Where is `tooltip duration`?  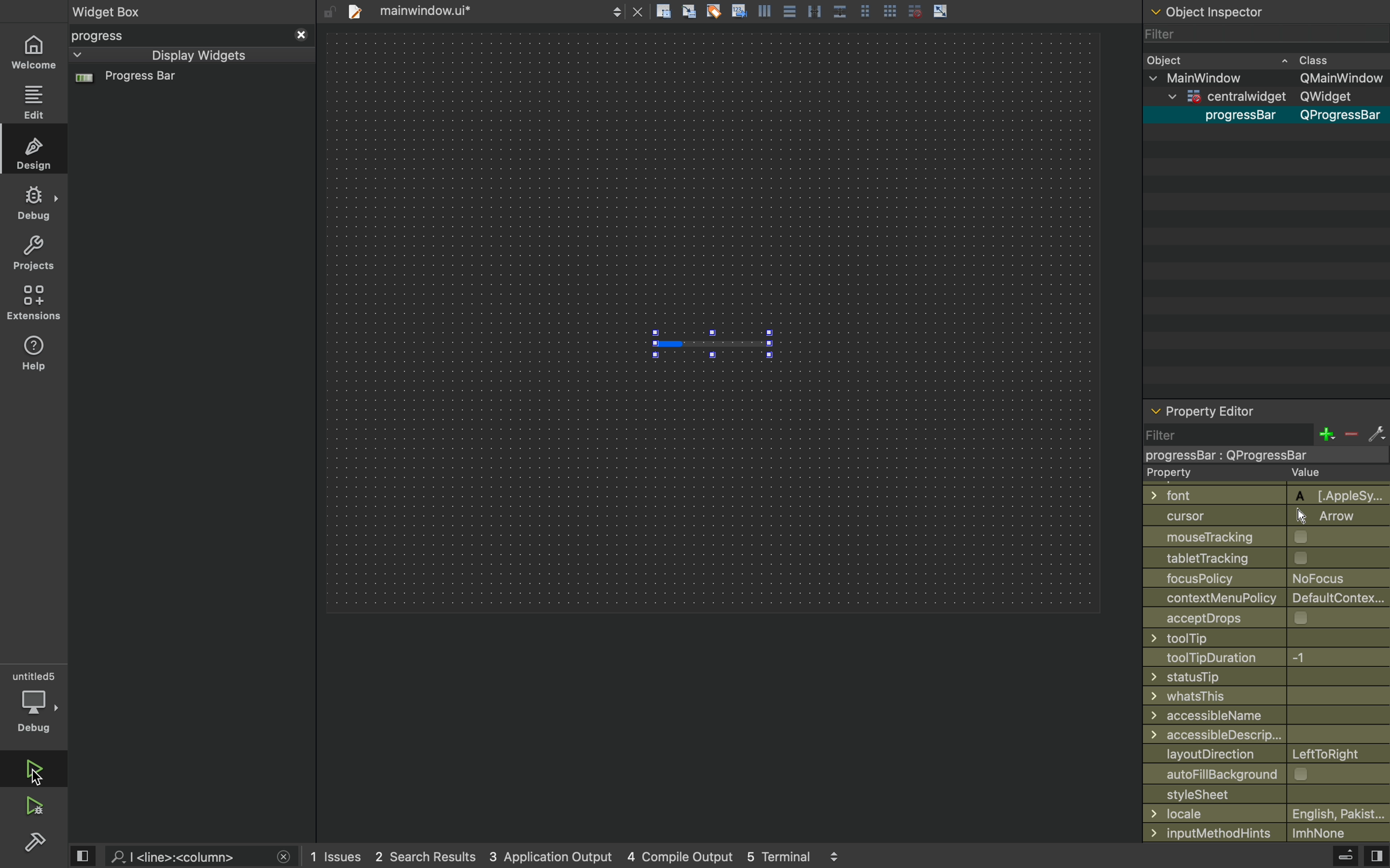 tooltip duration is located at coordinates (1250, 658).